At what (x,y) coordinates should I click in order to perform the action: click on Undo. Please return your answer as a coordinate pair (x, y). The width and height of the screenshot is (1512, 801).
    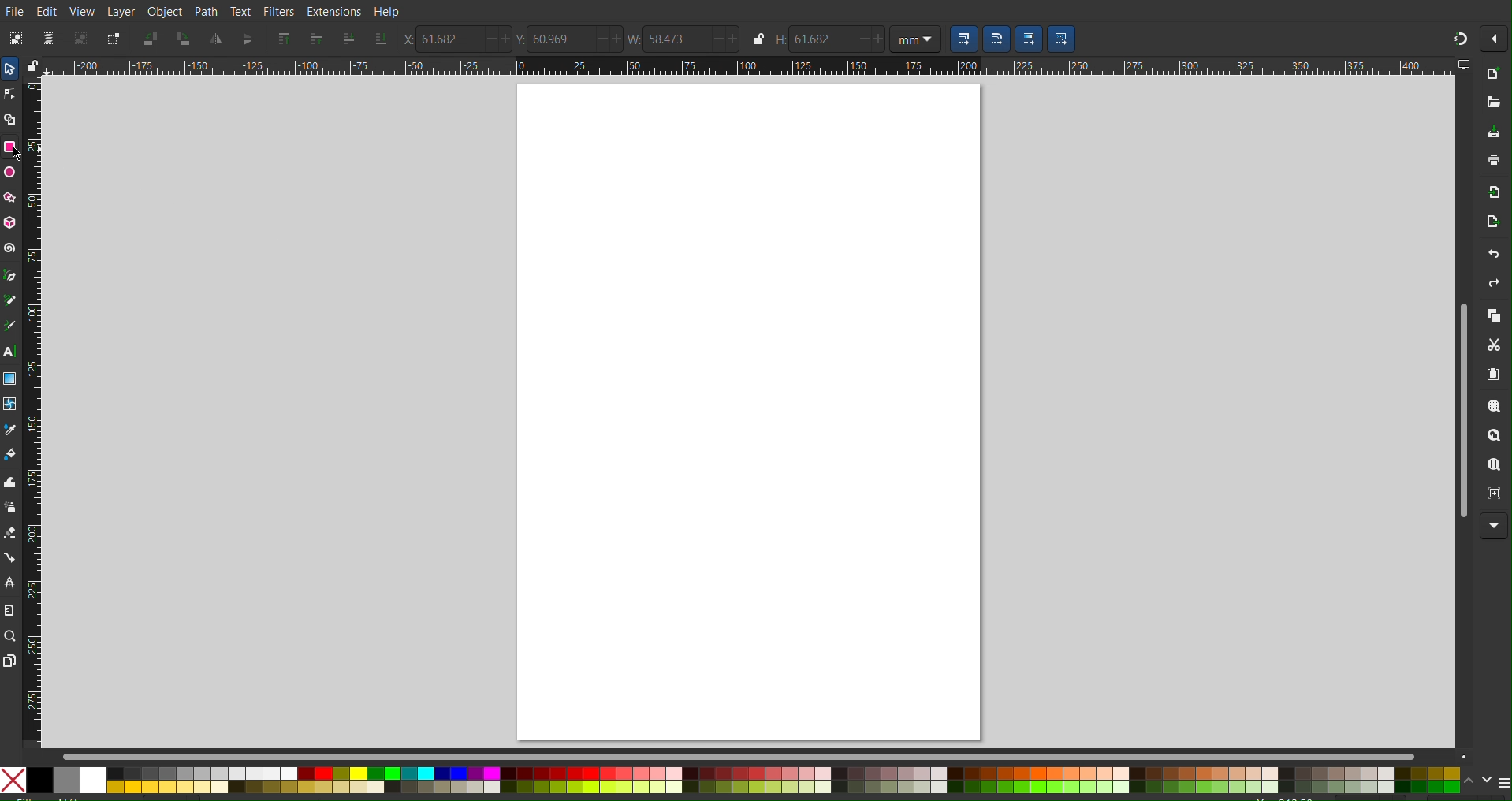
    Looking at the image, I should click on (1484, 256).